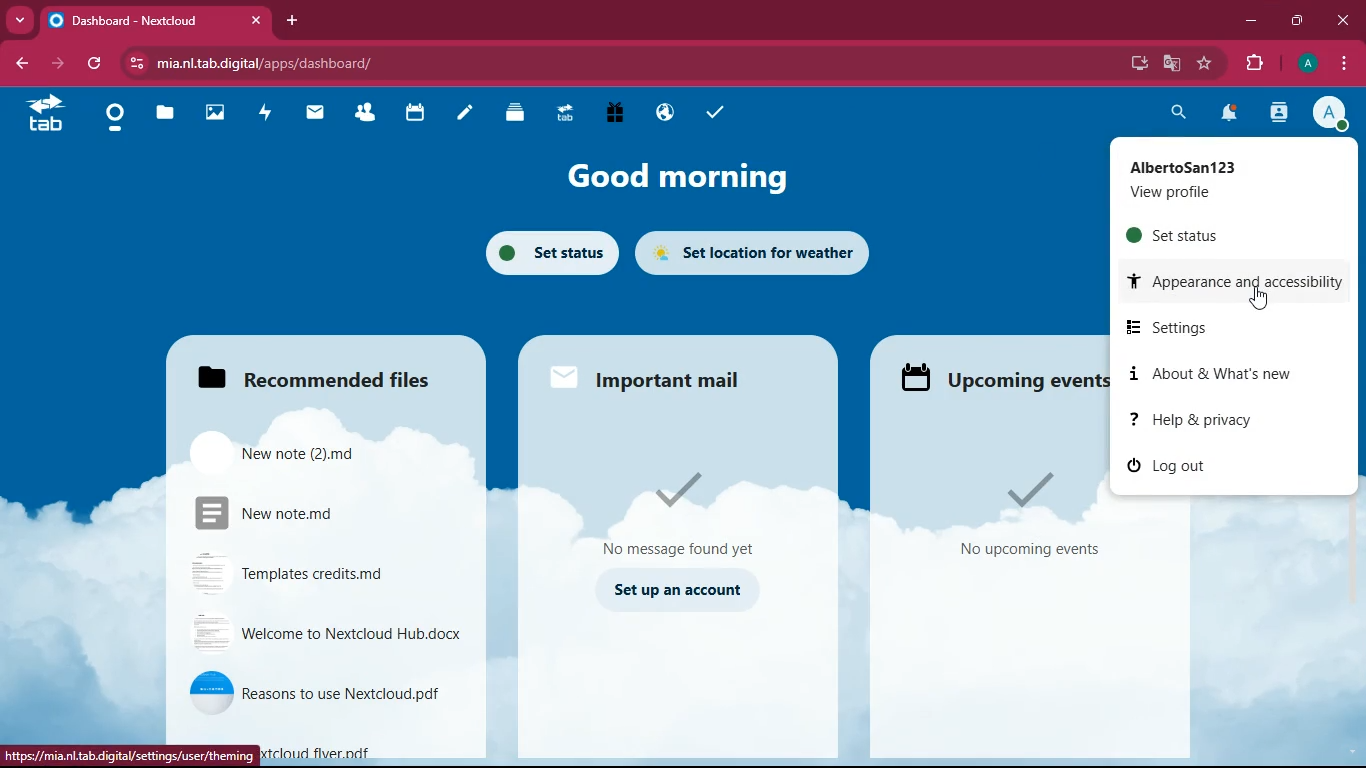 This screenshot has width=1366, height=768. I want to click on notifications, so click(1234, 115).